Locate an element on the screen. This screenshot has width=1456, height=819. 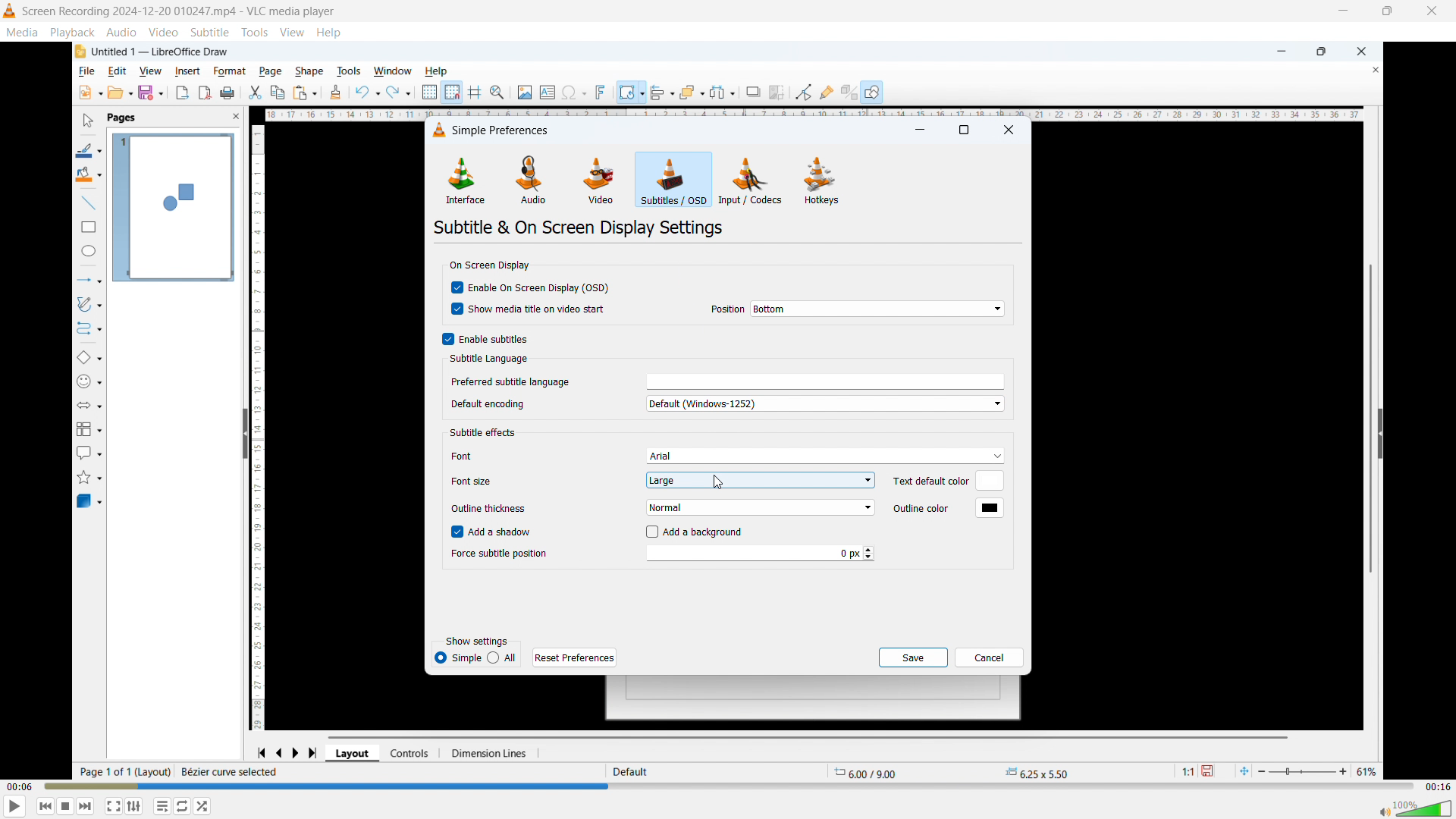
Set subtitle font size  is located at coordinates (761, 480).